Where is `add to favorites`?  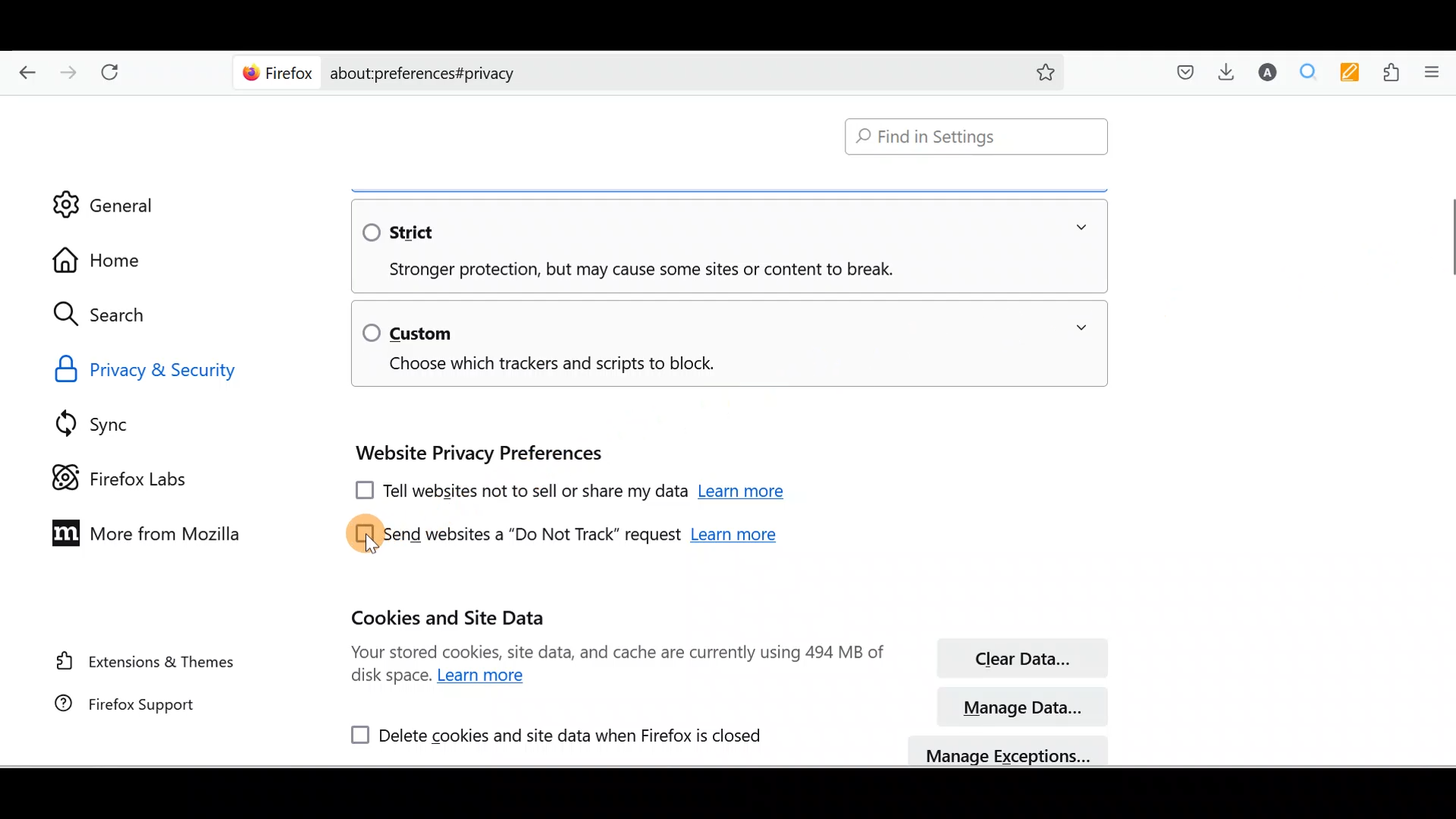
add to favorites is located at coordinates (1046, 74).